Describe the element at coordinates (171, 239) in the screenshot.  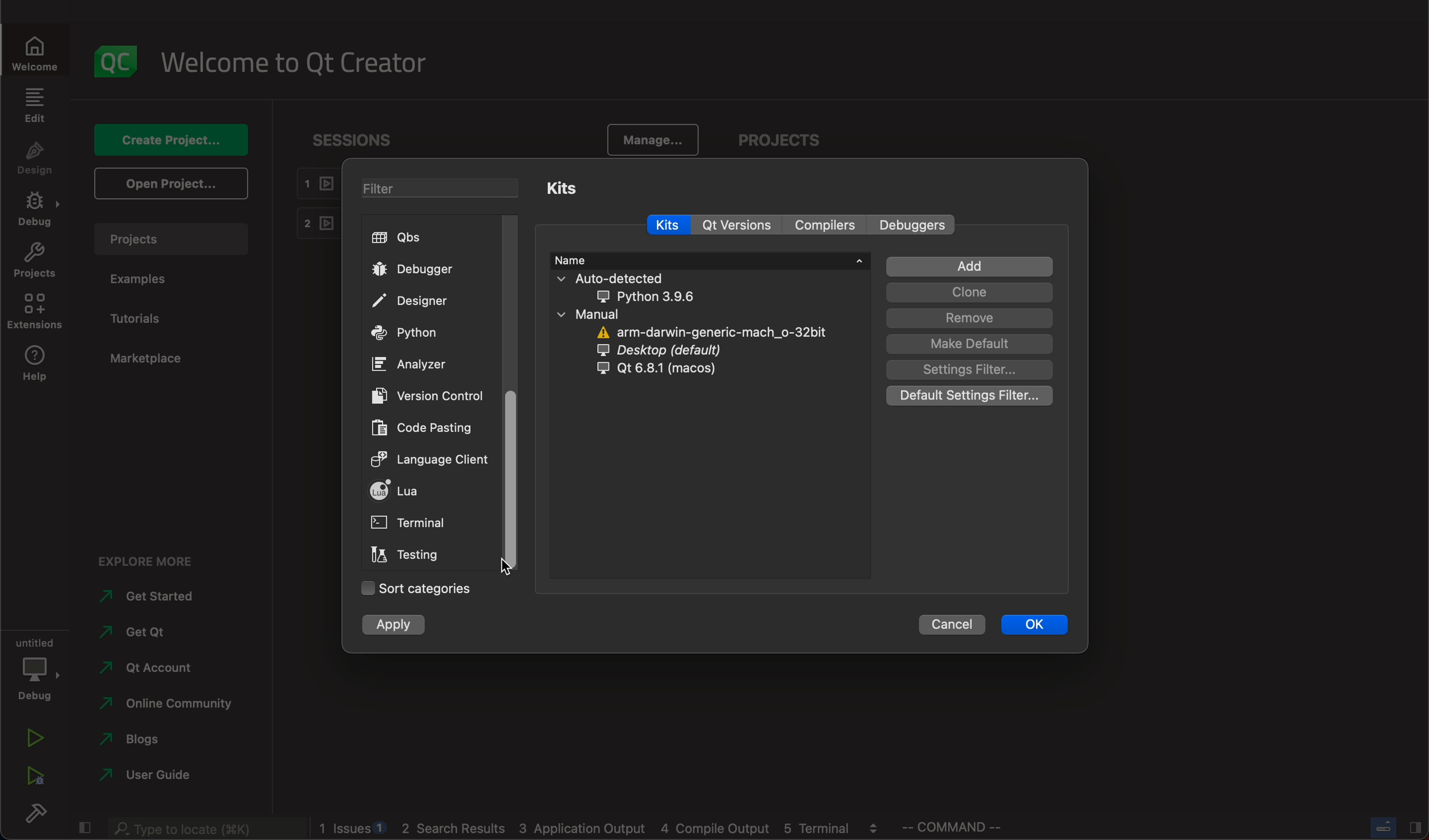
I see `projects` at that location.